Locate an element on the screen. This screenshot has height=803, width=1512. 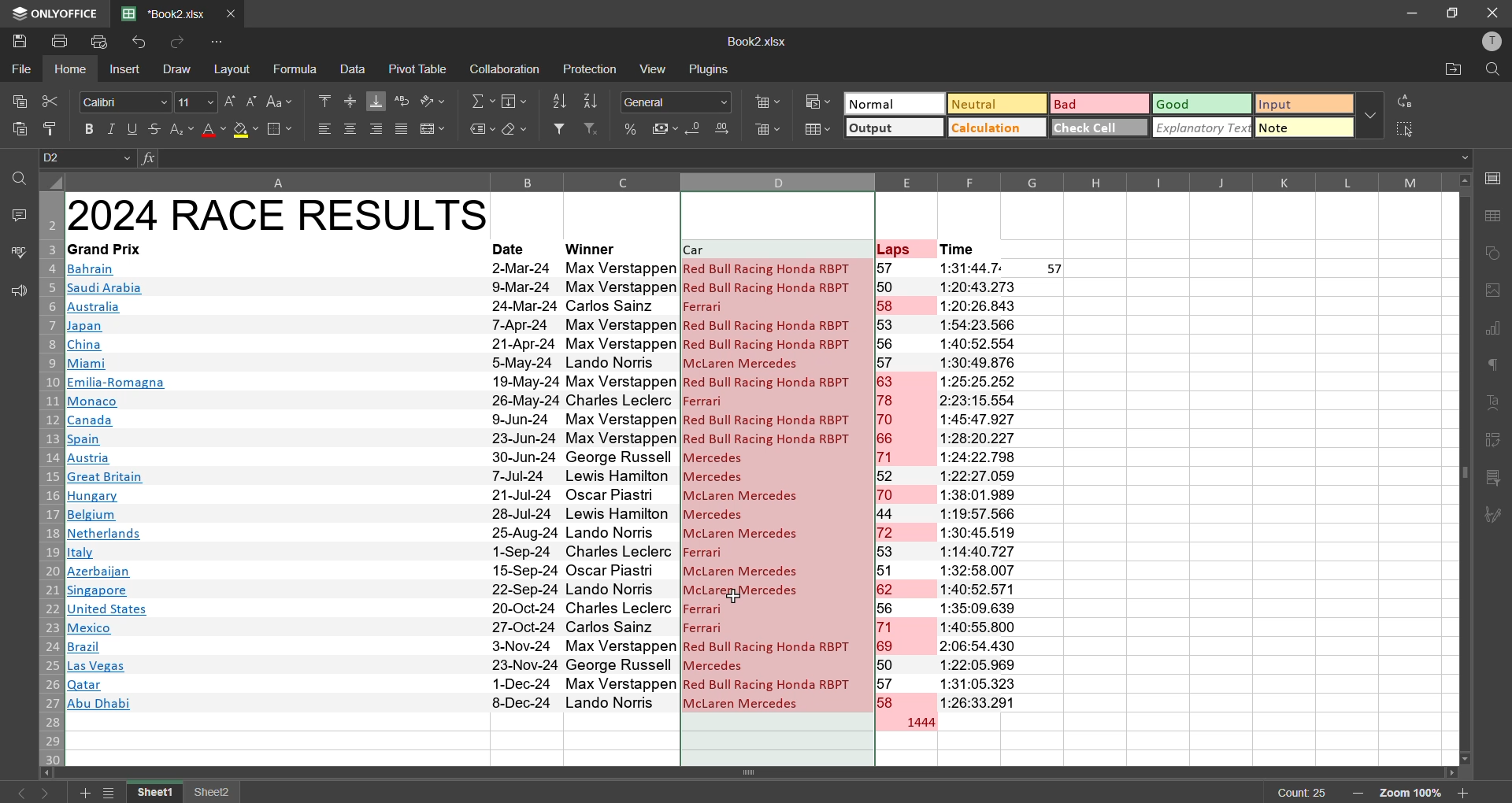
images is located at coordinates (1494, 290).